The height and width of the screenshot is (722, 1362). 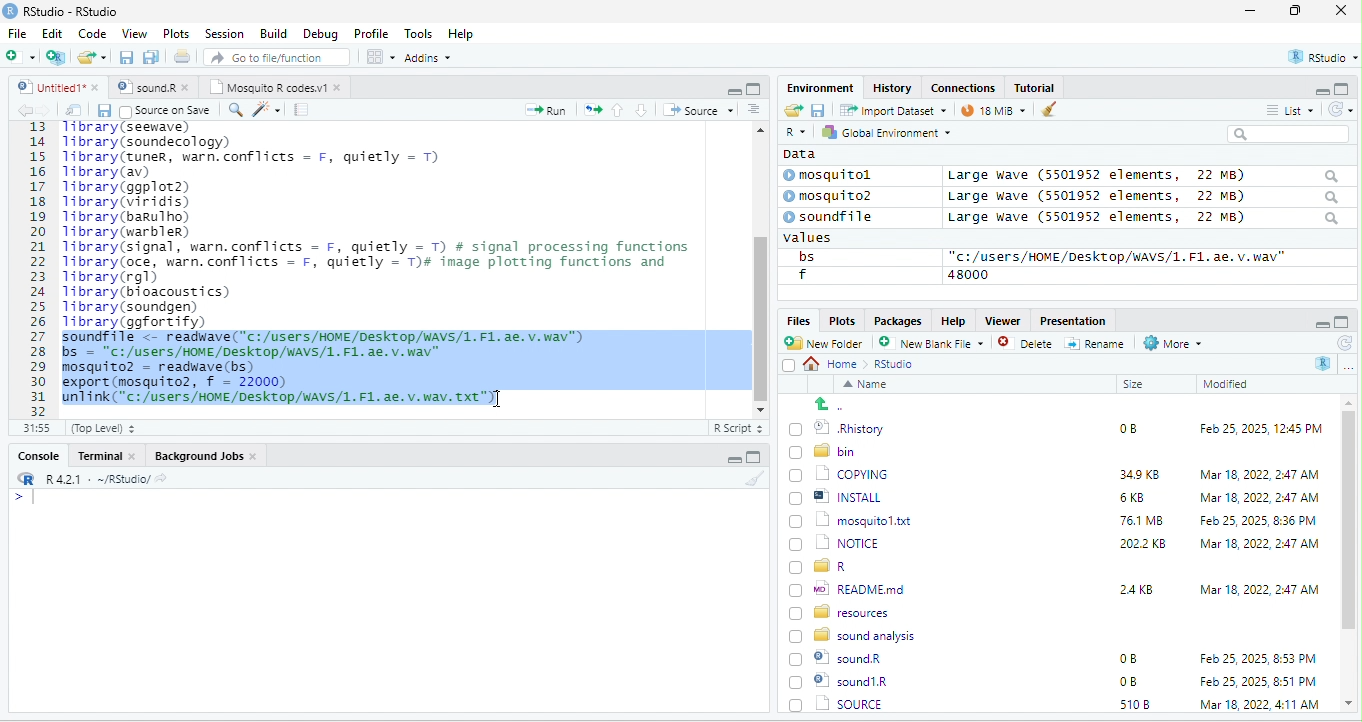 I want to click on Size, so click(x=1134, y=385).